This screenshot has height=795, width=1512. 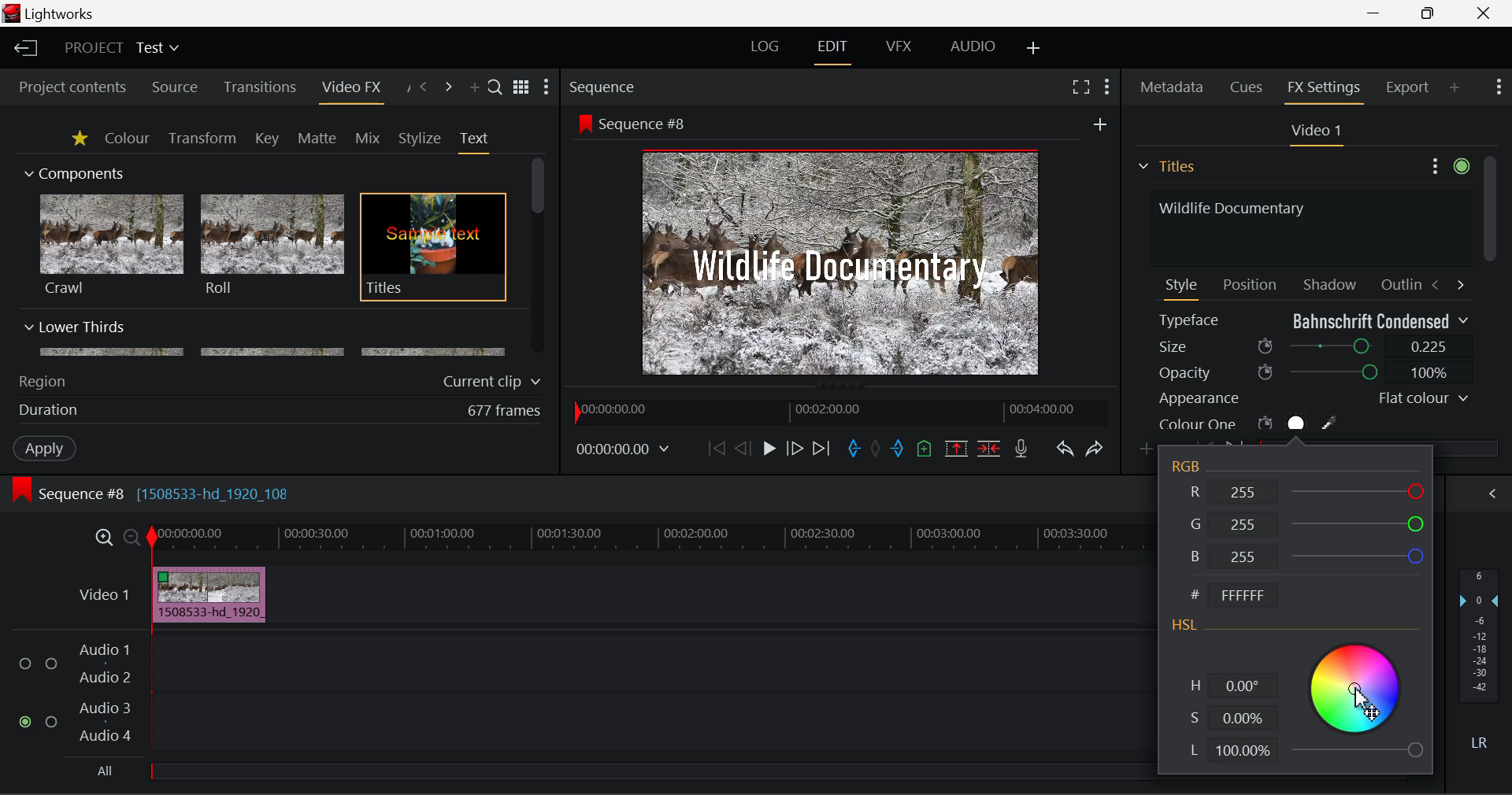 I want to click on Appearance, so click(x=1312, y=398).